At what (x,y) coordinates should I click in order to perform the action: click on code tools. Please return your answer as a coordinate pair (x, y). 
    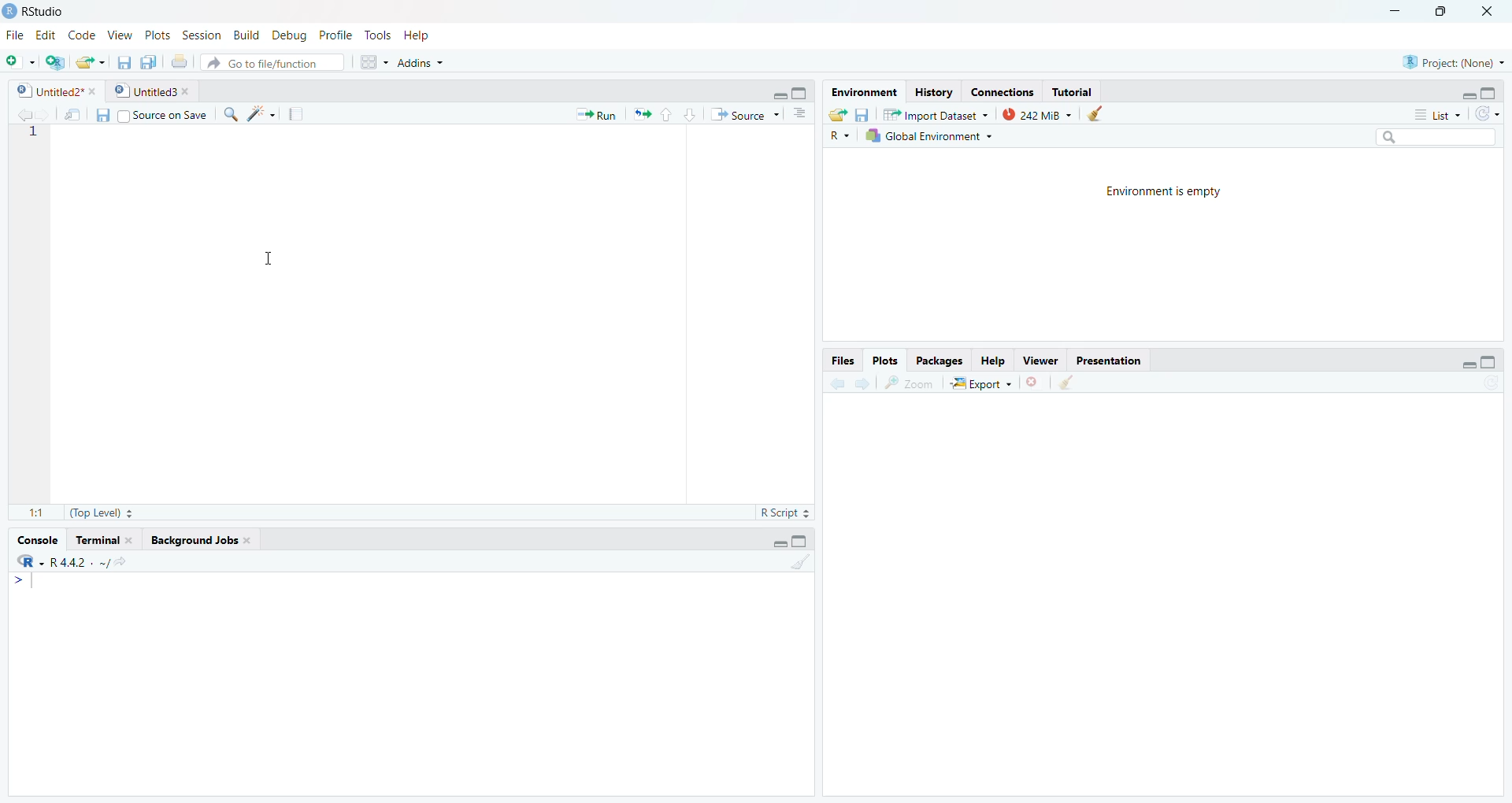
    Looking at the image, I should click on (261, 114).